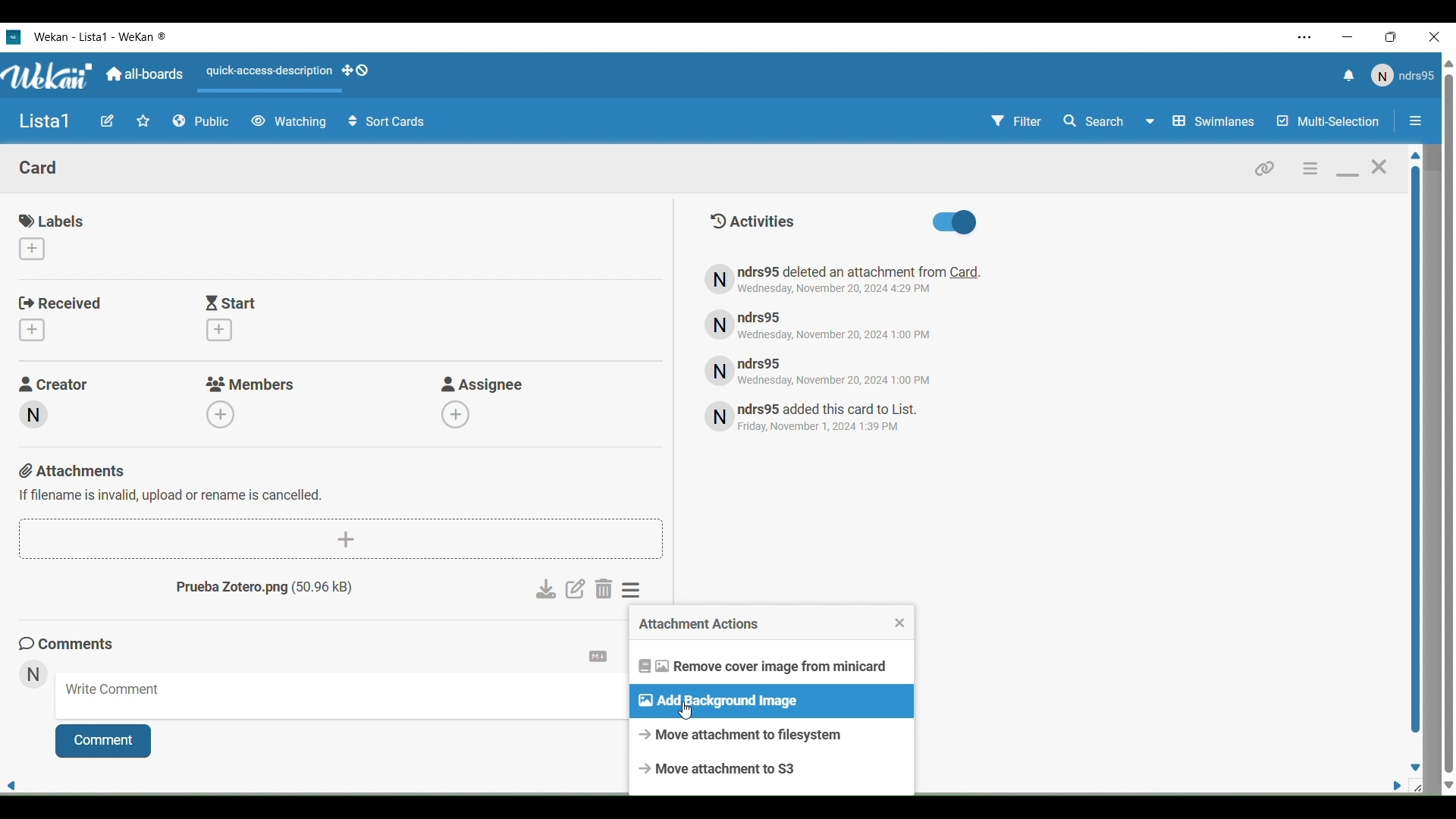  What do you see at coordinates (546, 589) in the screenshot?
I see `Download` at bounding box center [546, 589].